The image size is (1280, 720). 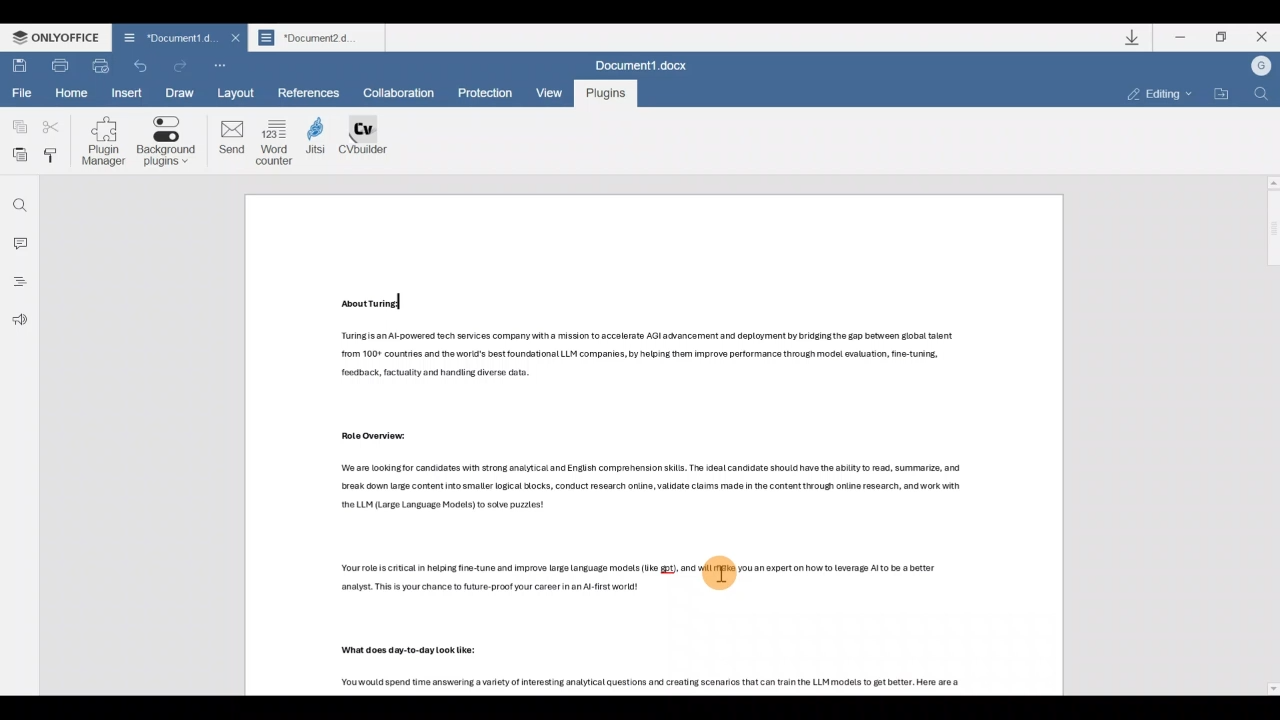 What do you see at coordinates (554, 89) in the screenshot?
I see `View` at bounding box center [554, 89].